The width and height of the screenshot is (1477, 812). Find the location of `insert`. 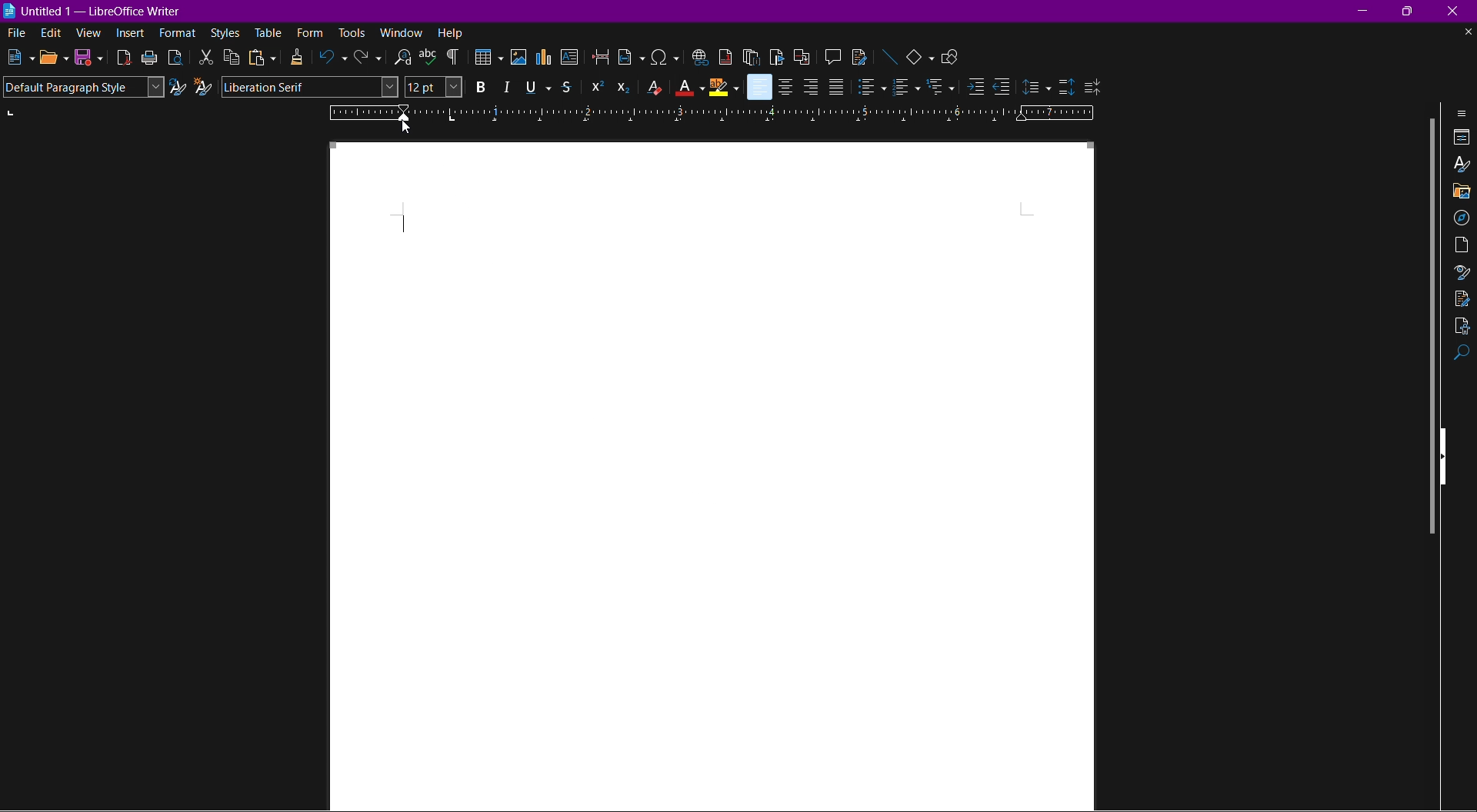

insert is located at coordinates (132, 35).